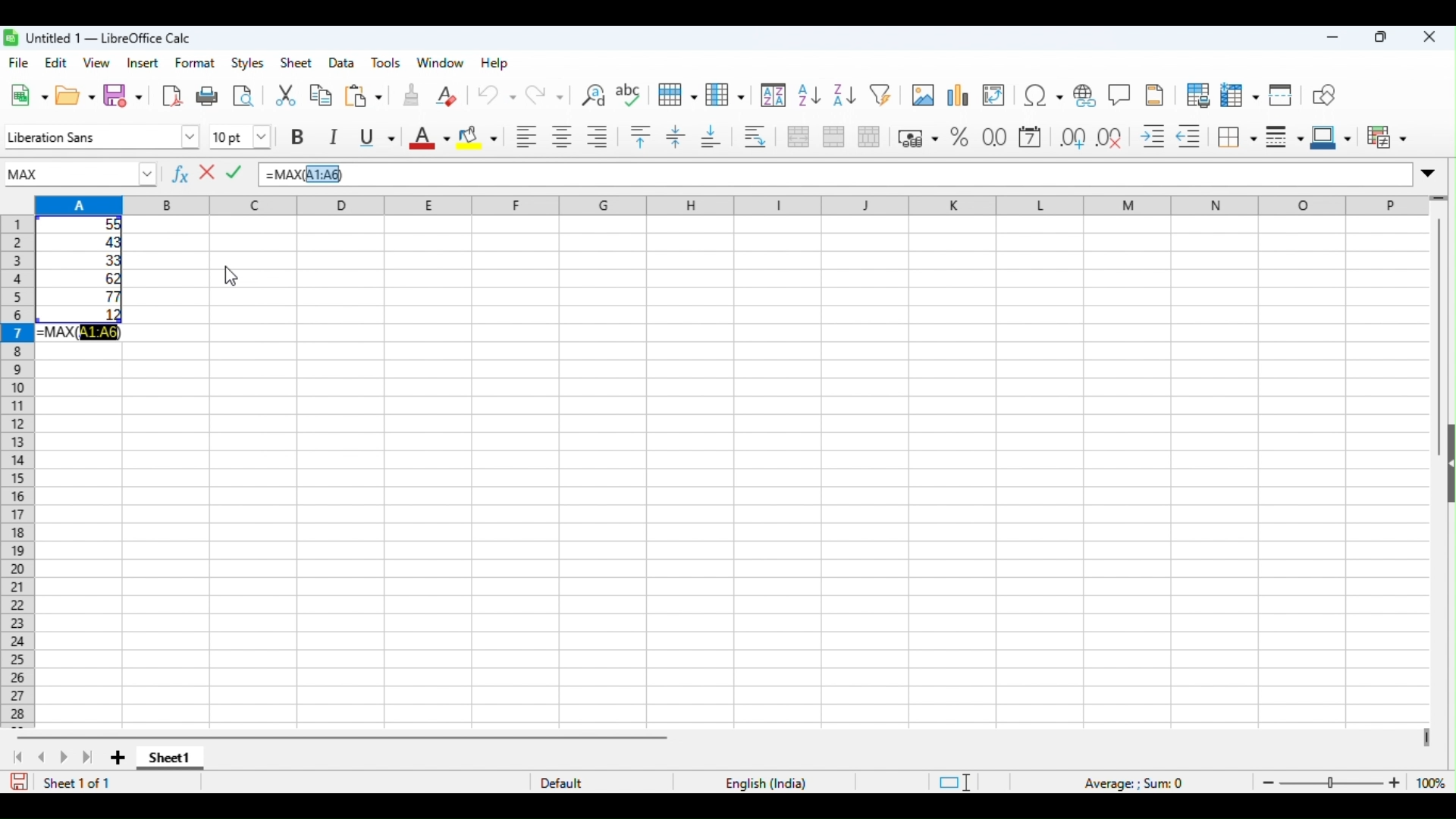 Image resolution: width=1456 pixels, height=819 pixels. What do you see at coordinates (78, 334) in the screenshot?
I see `formula for MAX appeared` at bounding box center [78, 334].